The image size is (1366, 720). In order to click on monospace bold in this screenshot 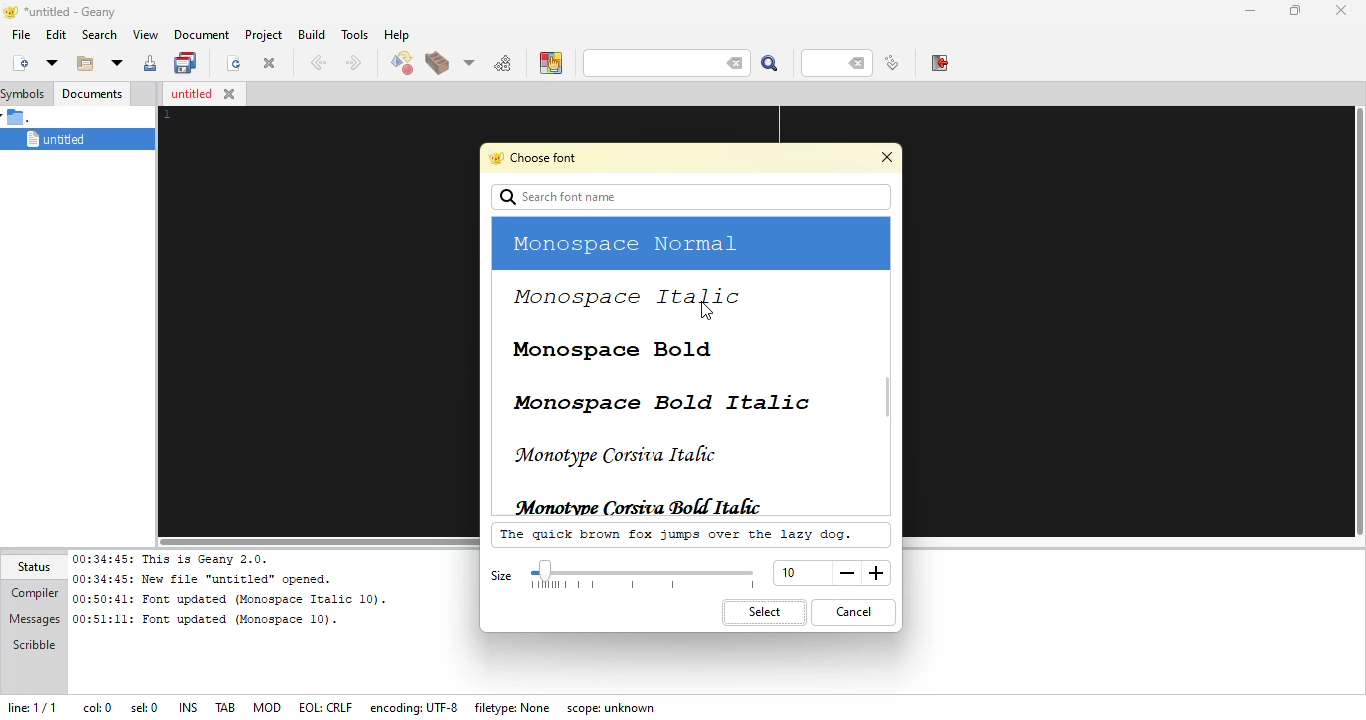, I will do `click(610, 350)`.